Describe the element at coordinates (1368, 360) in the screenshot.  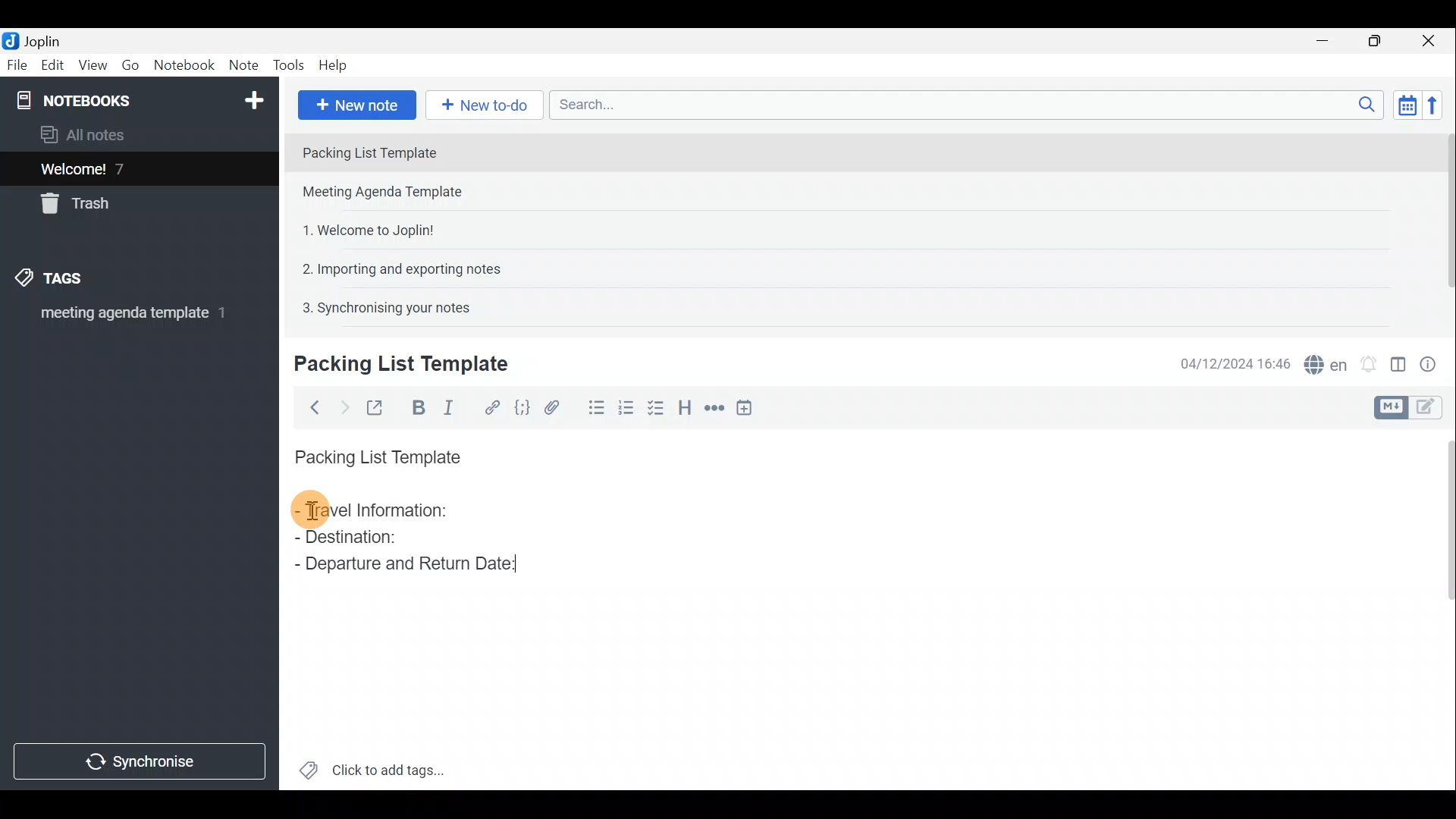
I see `Set alarm` at that location.